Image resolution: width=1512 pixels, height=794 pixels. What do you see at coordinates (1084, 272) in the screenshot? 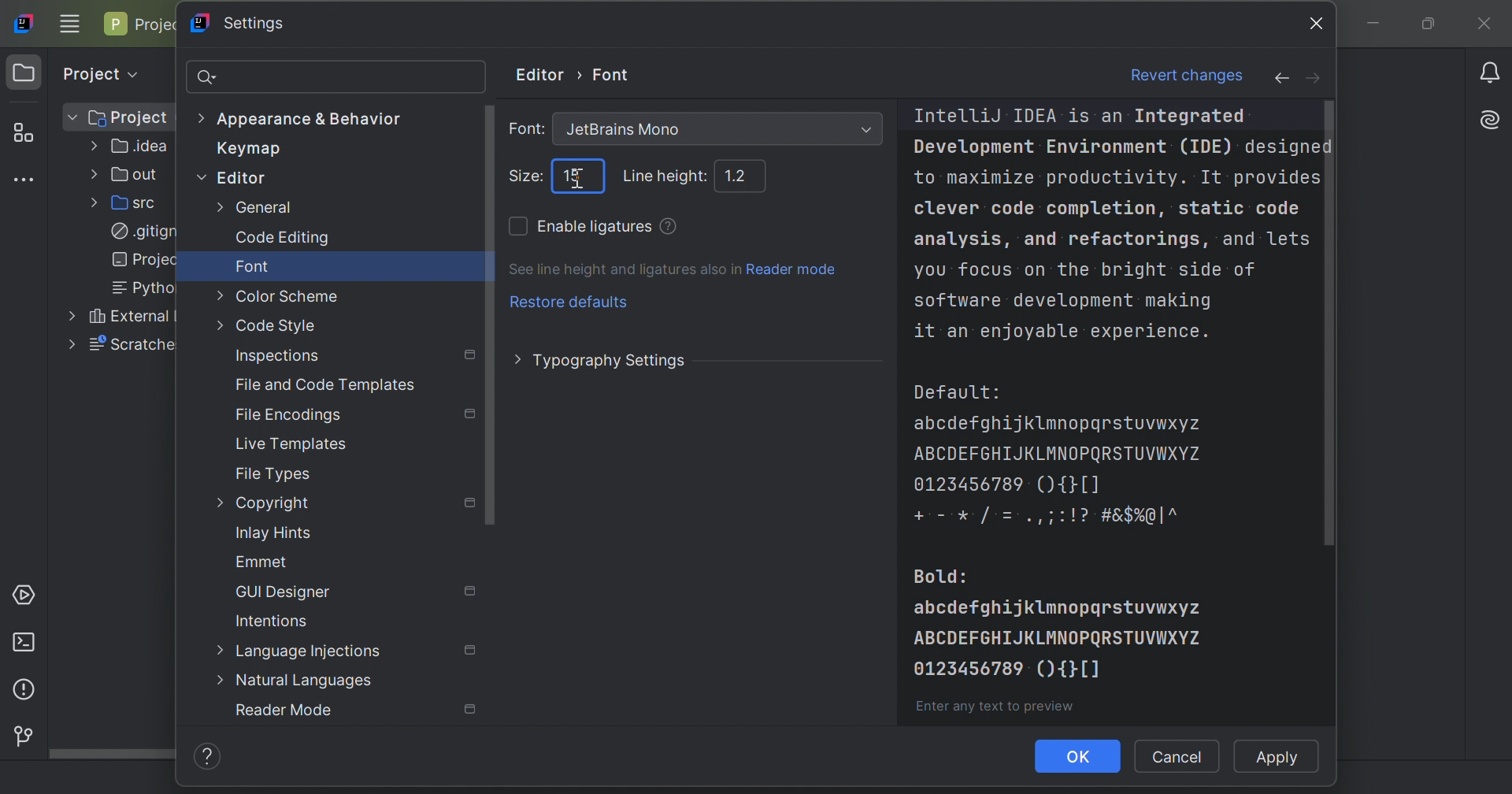
I see `you focus on the bright side of` at bounding box center [1084, 272].